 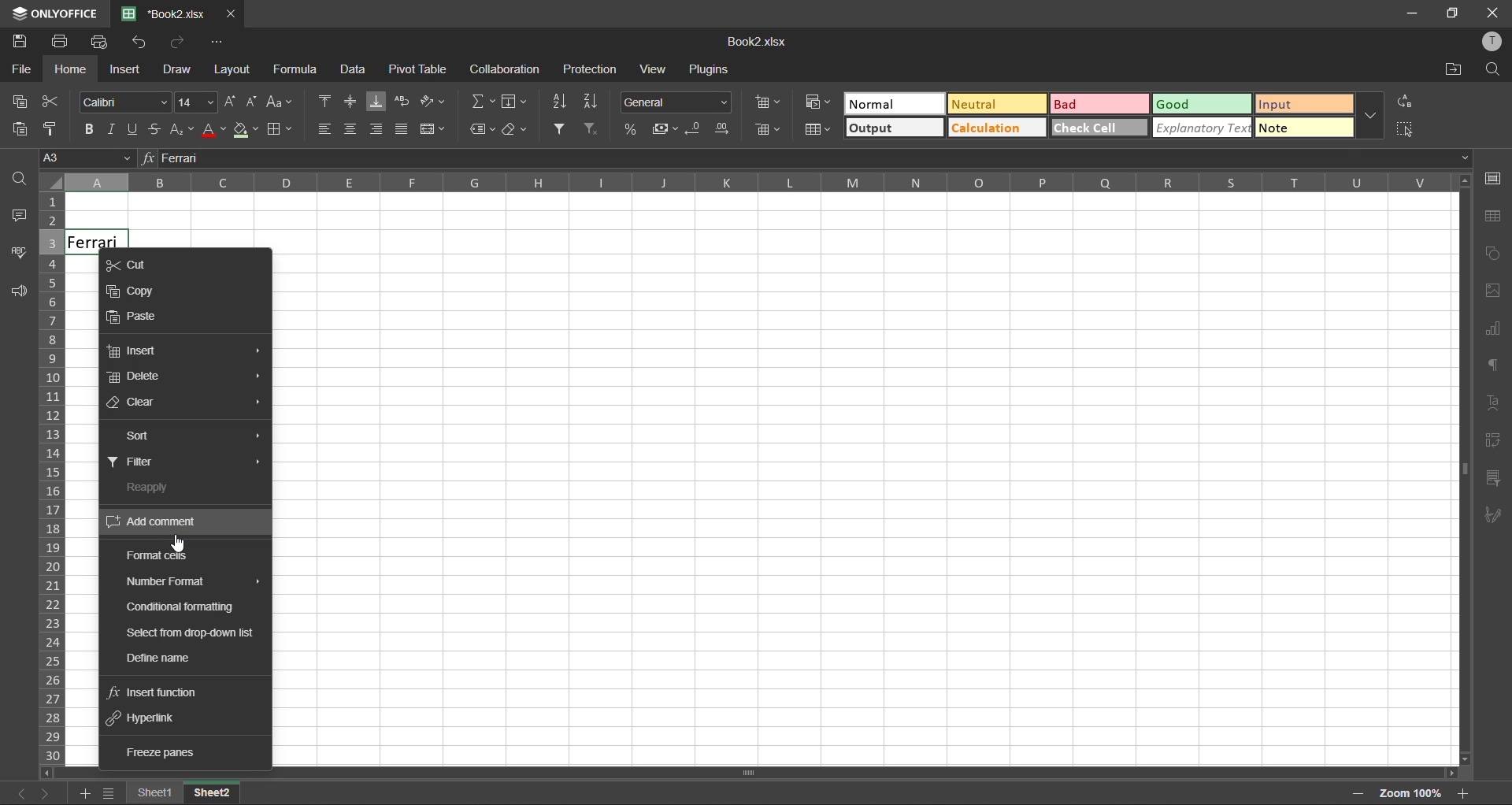 I want to click on strikethrough, so click(x=158, y=128).